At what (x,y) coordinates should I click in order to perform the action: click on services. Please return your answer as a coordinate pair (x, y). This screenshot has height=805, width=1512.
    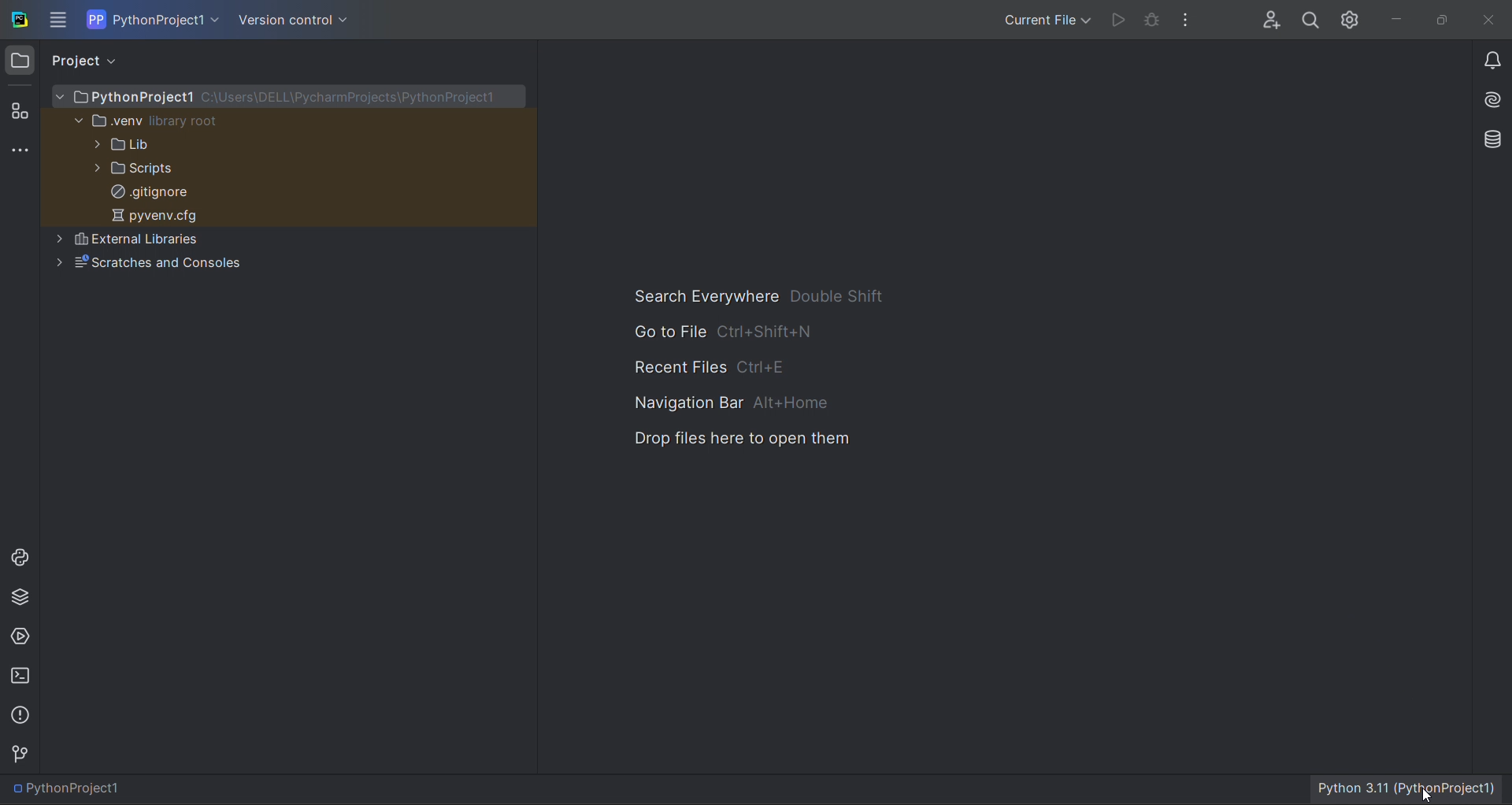
    Looking at the image, I should click on (20, 638).